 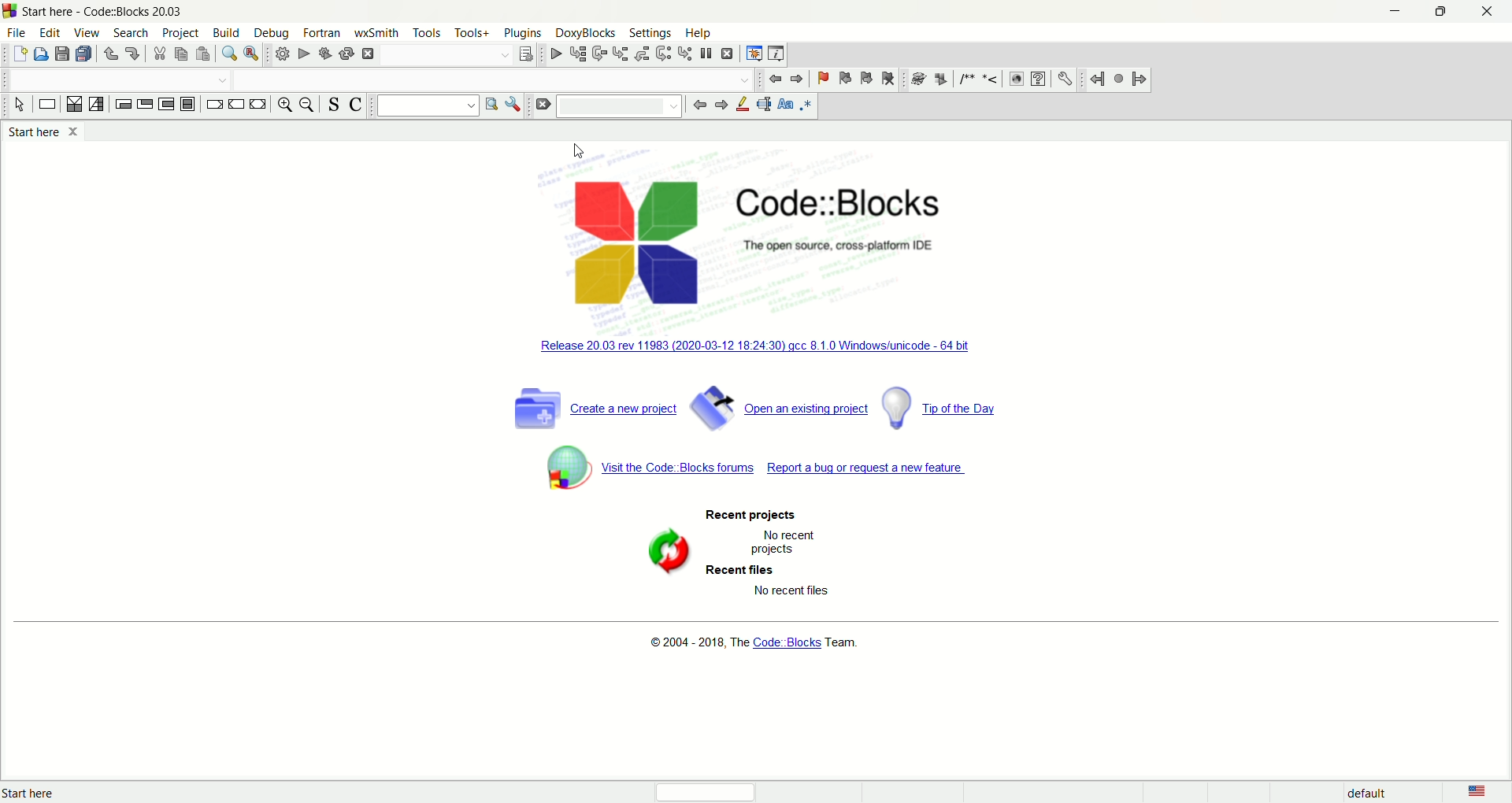 I want to click on options window, so click(x=514, y=105).